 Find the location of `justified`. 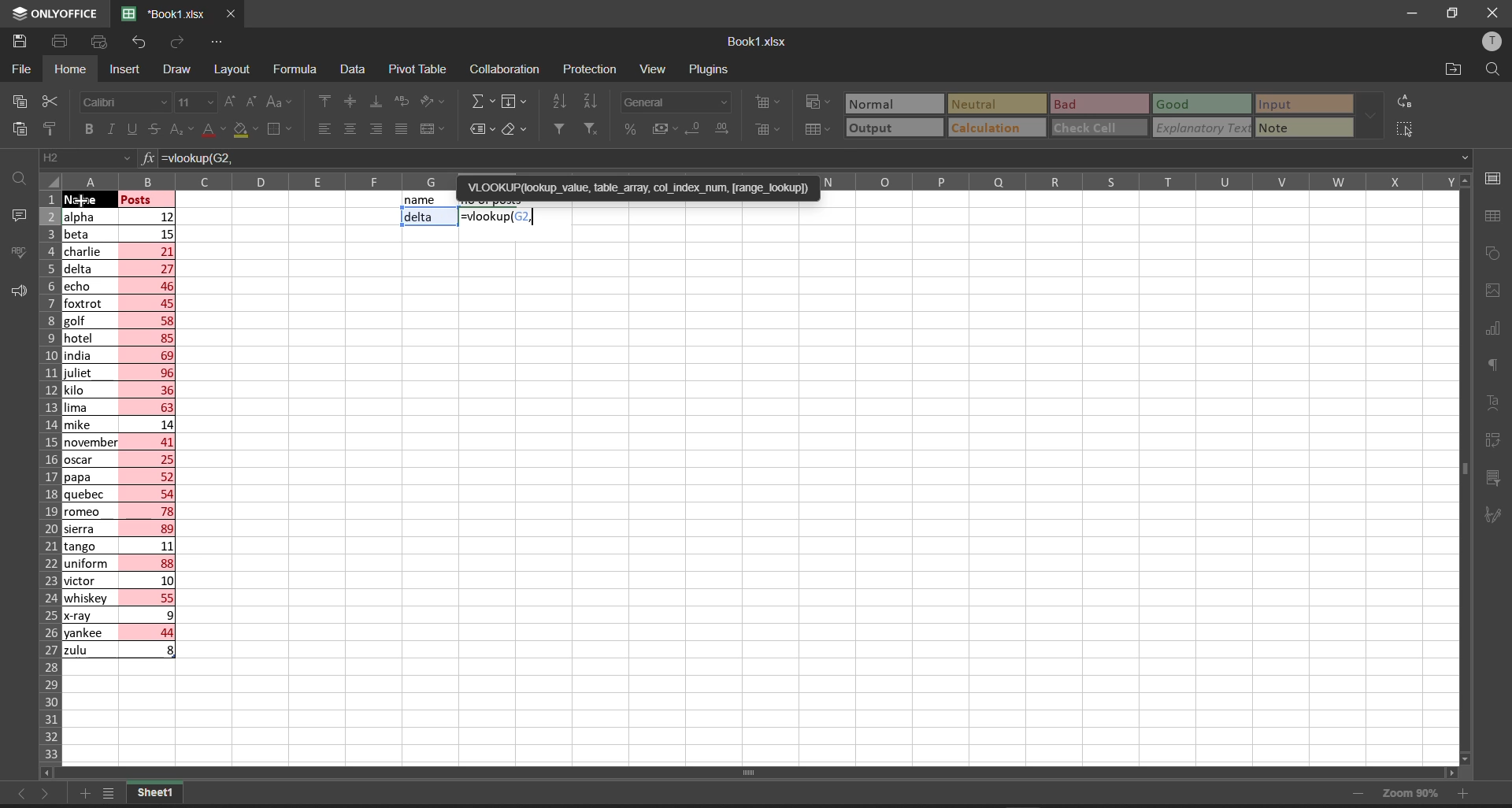

justified is located at coordinates (400, 129).